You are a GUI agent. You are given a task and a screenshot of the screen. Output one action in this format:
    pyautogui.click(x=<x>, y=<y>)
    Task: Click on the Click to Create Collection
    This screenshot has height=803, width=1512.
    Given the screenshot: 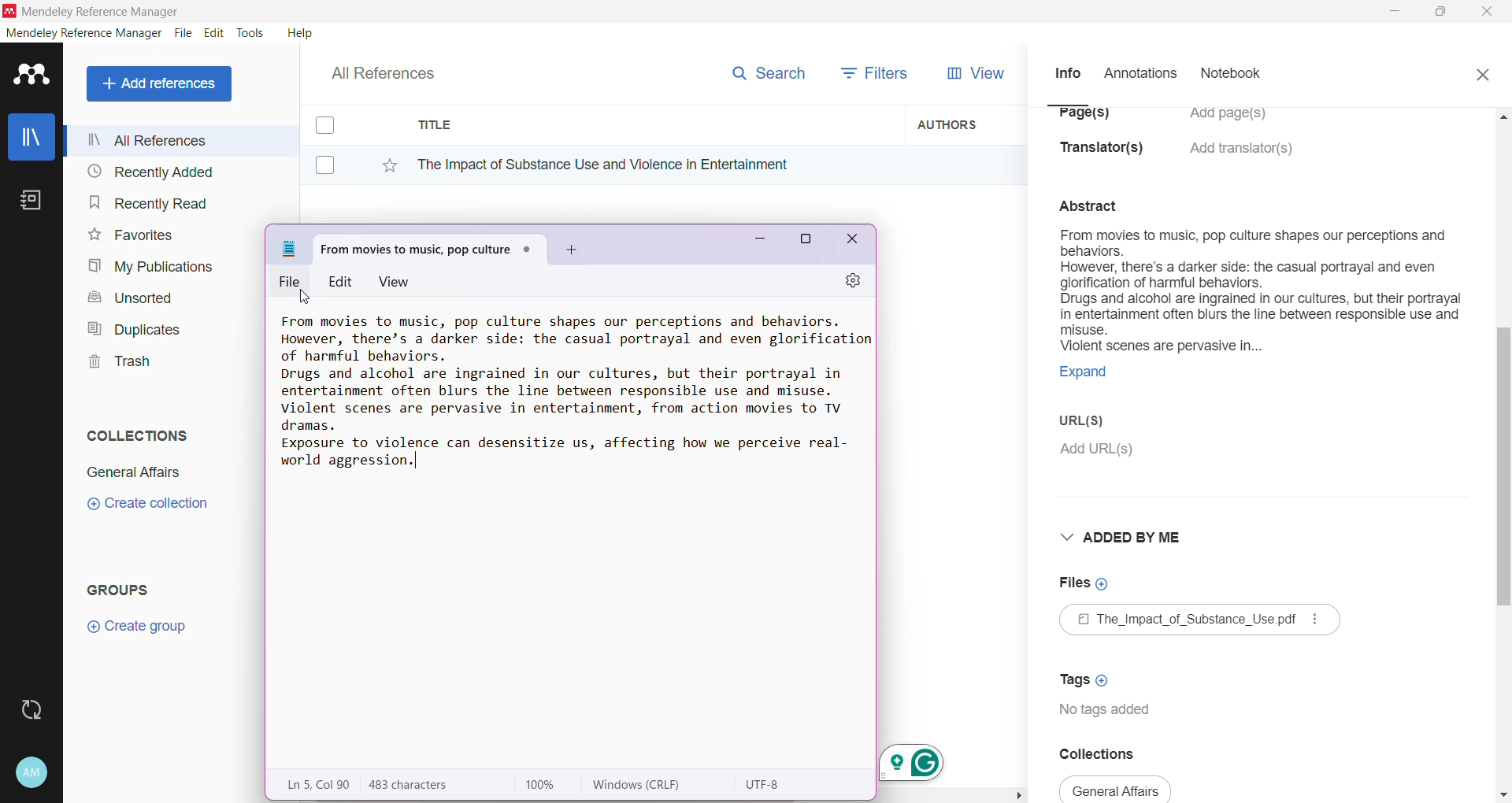 What is the action you would take?
    pyautogui.click(x=147, y=506)
    